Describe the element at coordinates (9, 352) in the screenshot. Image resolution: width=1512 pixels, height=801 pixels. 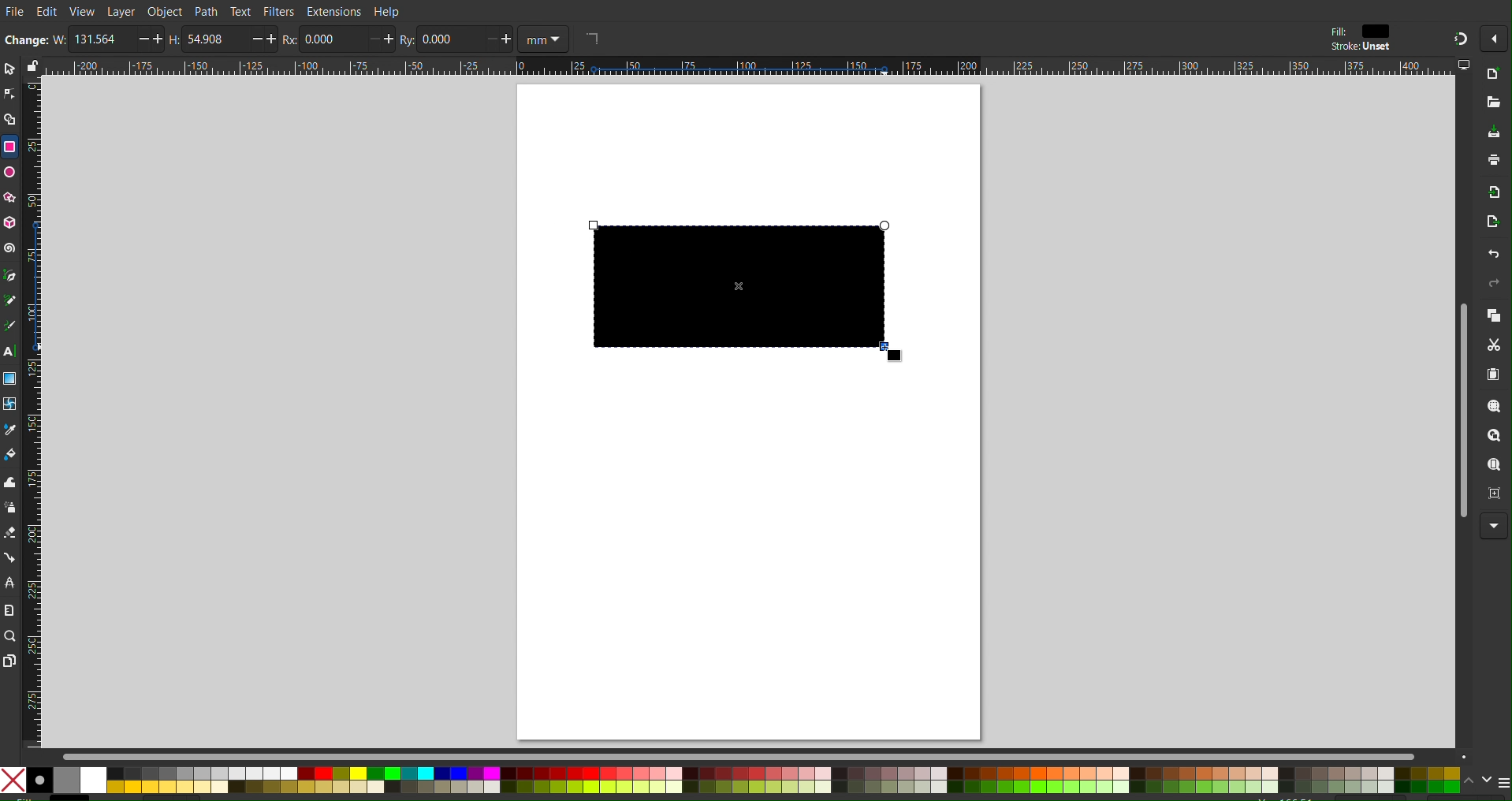
I see `Text Tool` at that location.